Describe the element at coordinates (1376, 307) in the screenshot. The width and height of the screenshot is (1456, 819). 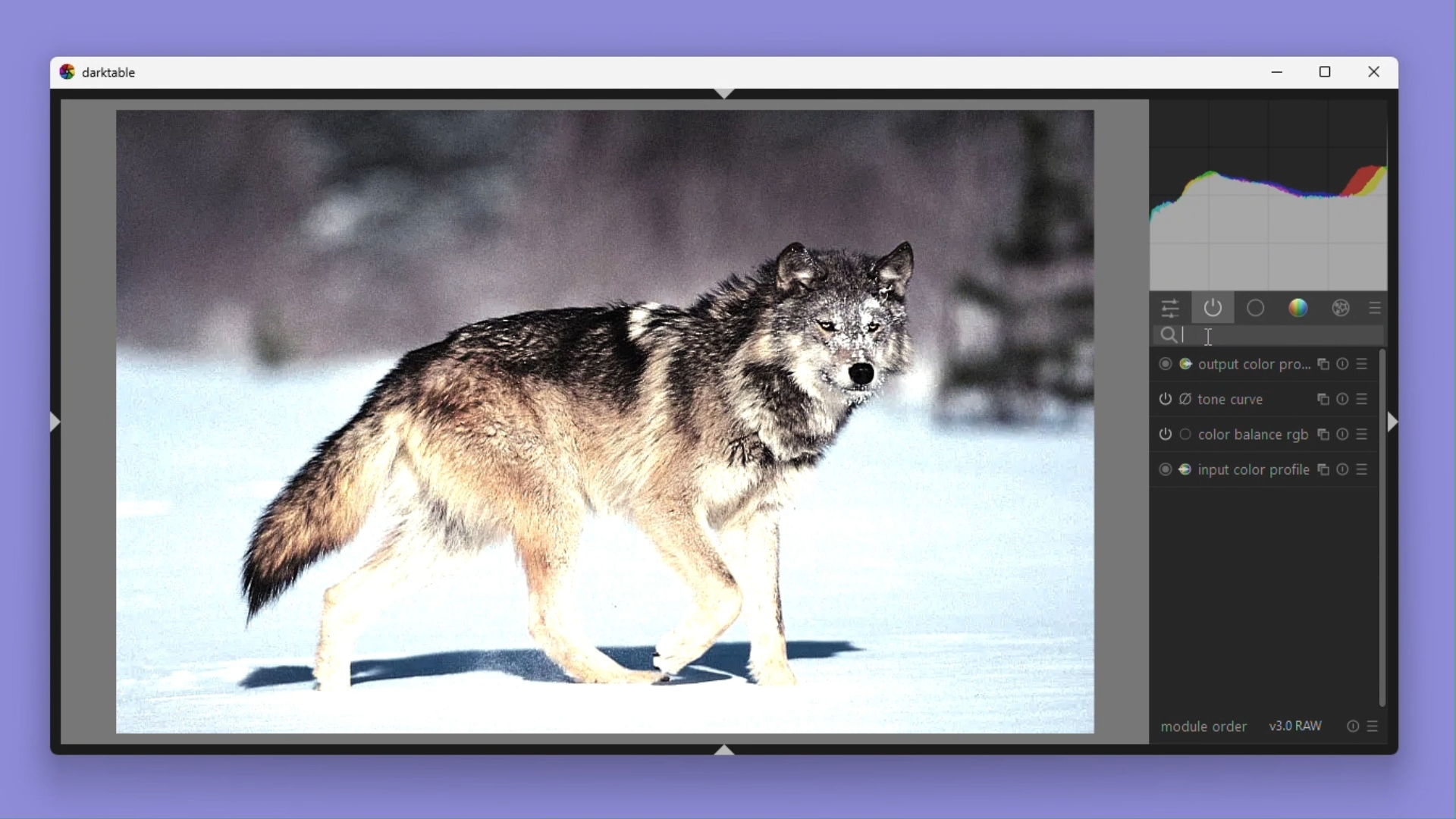
I see `preset` at that location.